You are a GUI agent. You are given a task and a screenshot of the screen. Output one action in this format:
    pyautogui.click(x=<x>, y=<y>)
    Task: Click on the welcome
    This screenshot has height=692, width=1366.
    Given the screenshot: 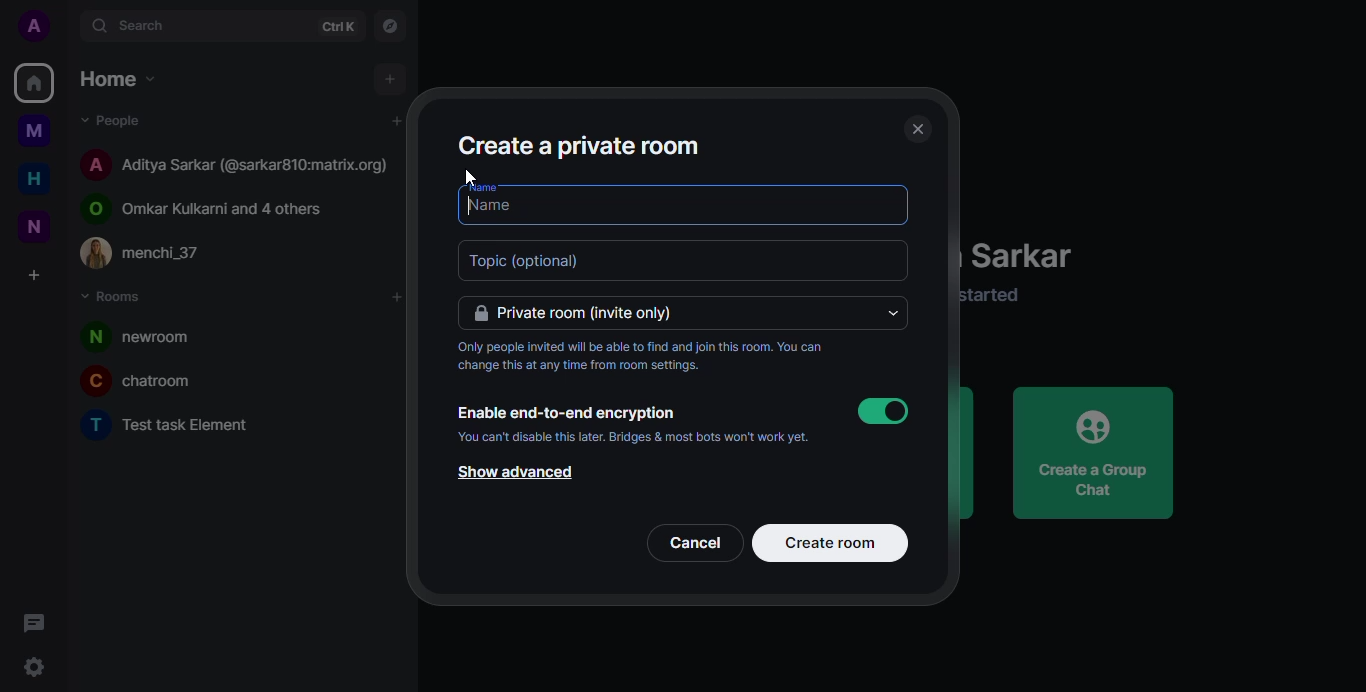 What is the action you would take?
    pyautogui.click(x=1034, y=258)
    